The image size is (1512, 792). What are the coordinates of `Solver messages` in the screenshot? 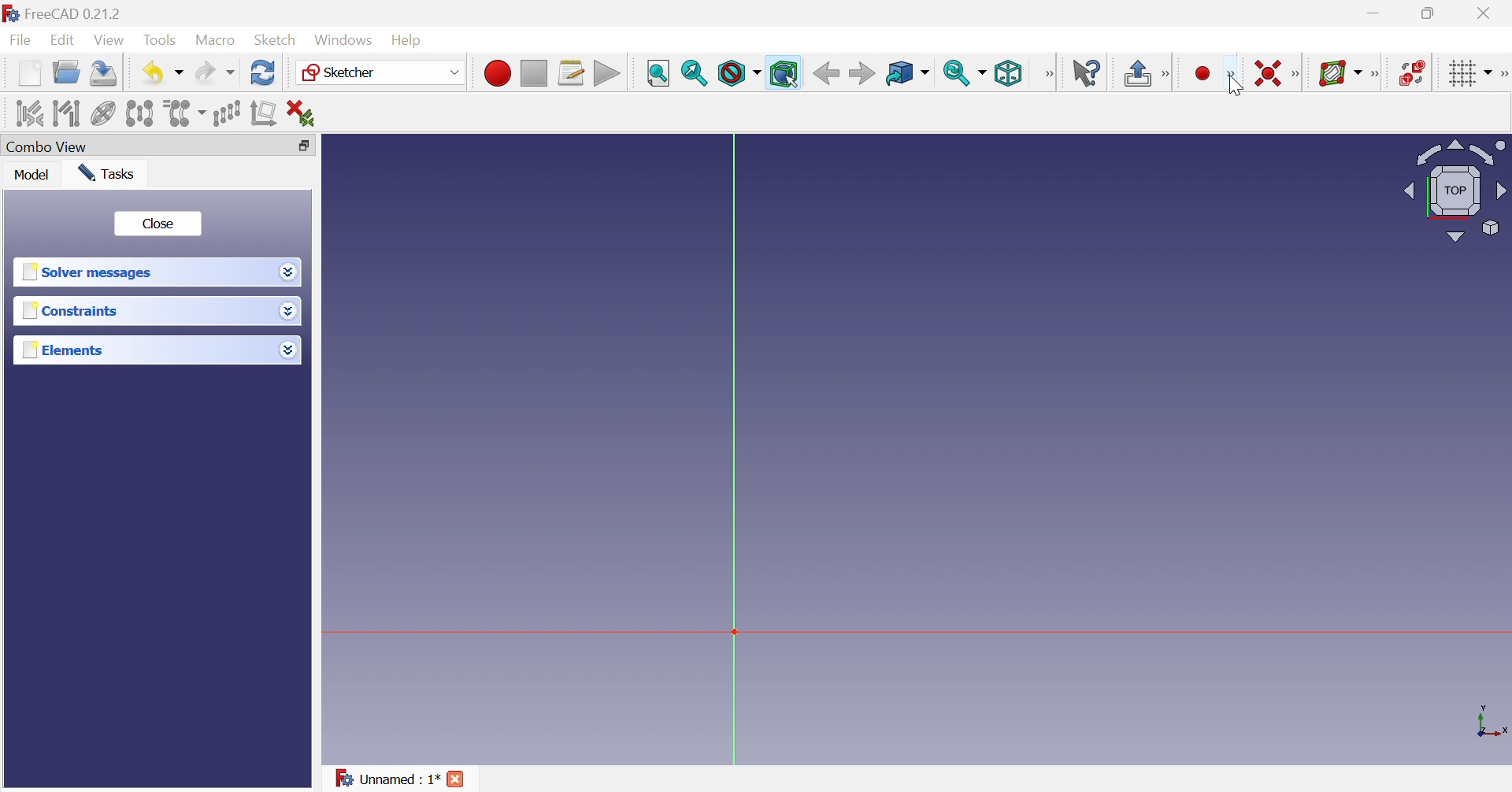 It's located at (86, 271).